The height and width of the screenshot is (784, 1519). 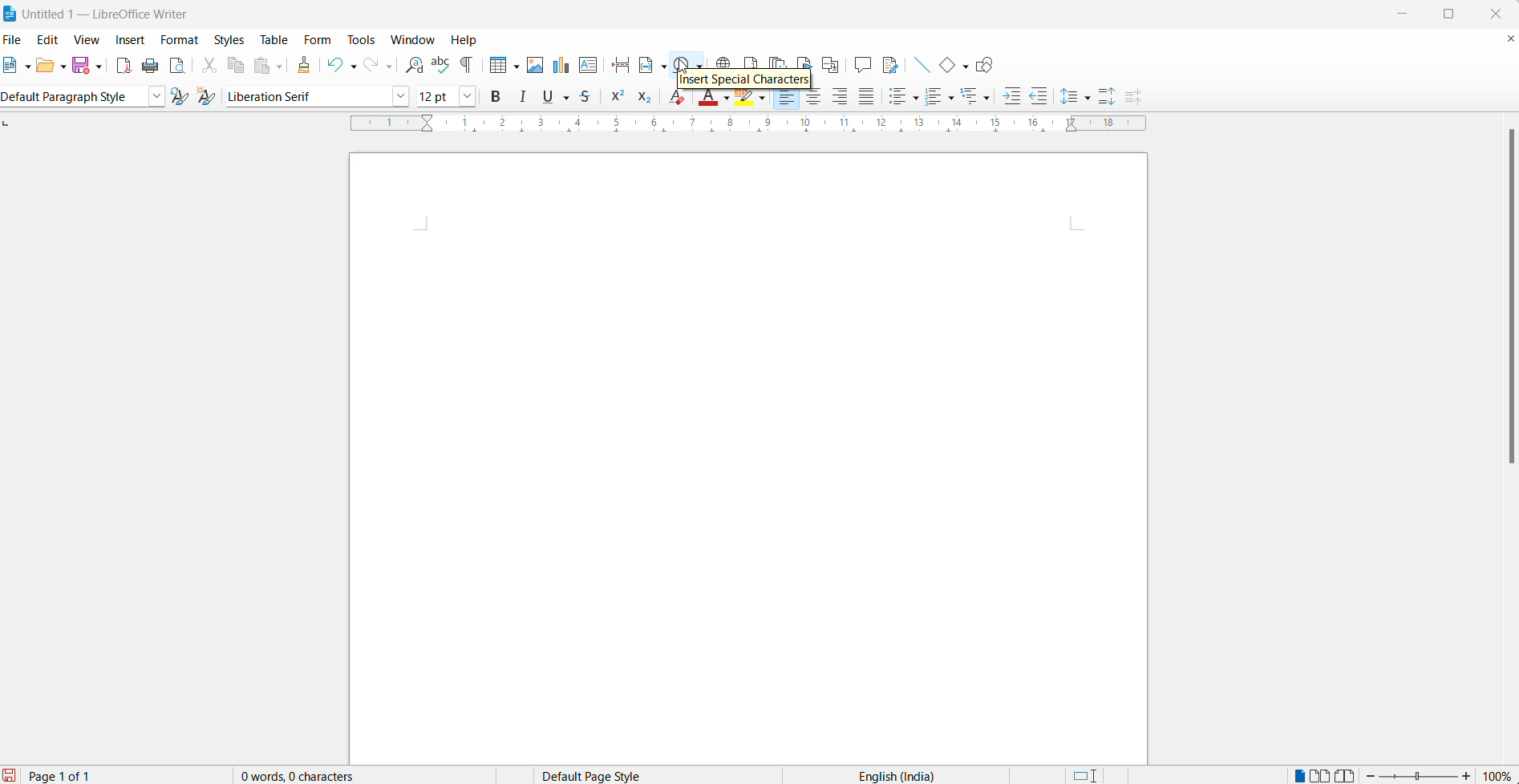 I want to click on set line spacing, so click(x=1067, y=98).